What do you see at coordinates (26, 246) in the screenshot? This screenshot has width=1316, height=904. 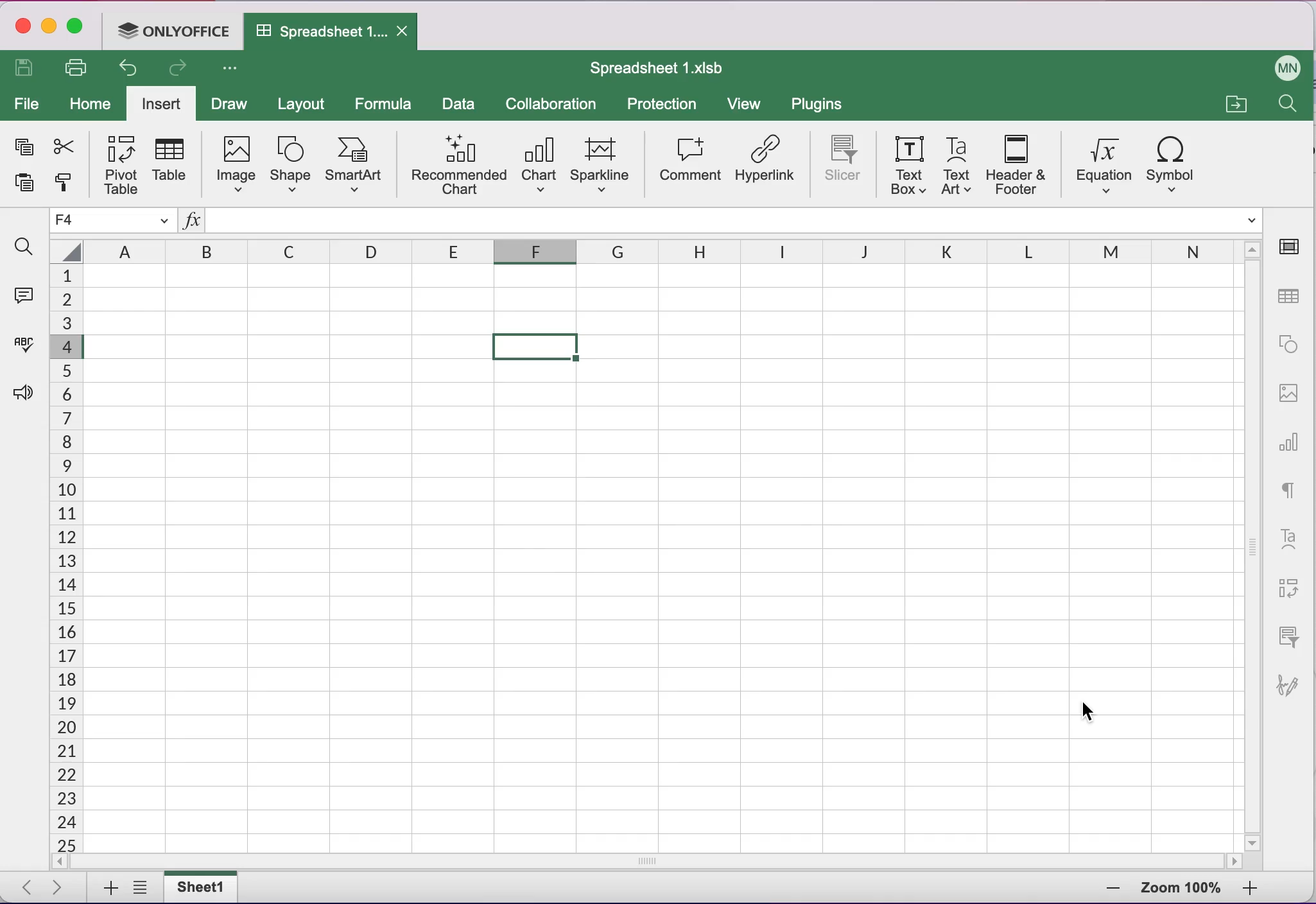 I see `find` at bounding box center [26, 246].